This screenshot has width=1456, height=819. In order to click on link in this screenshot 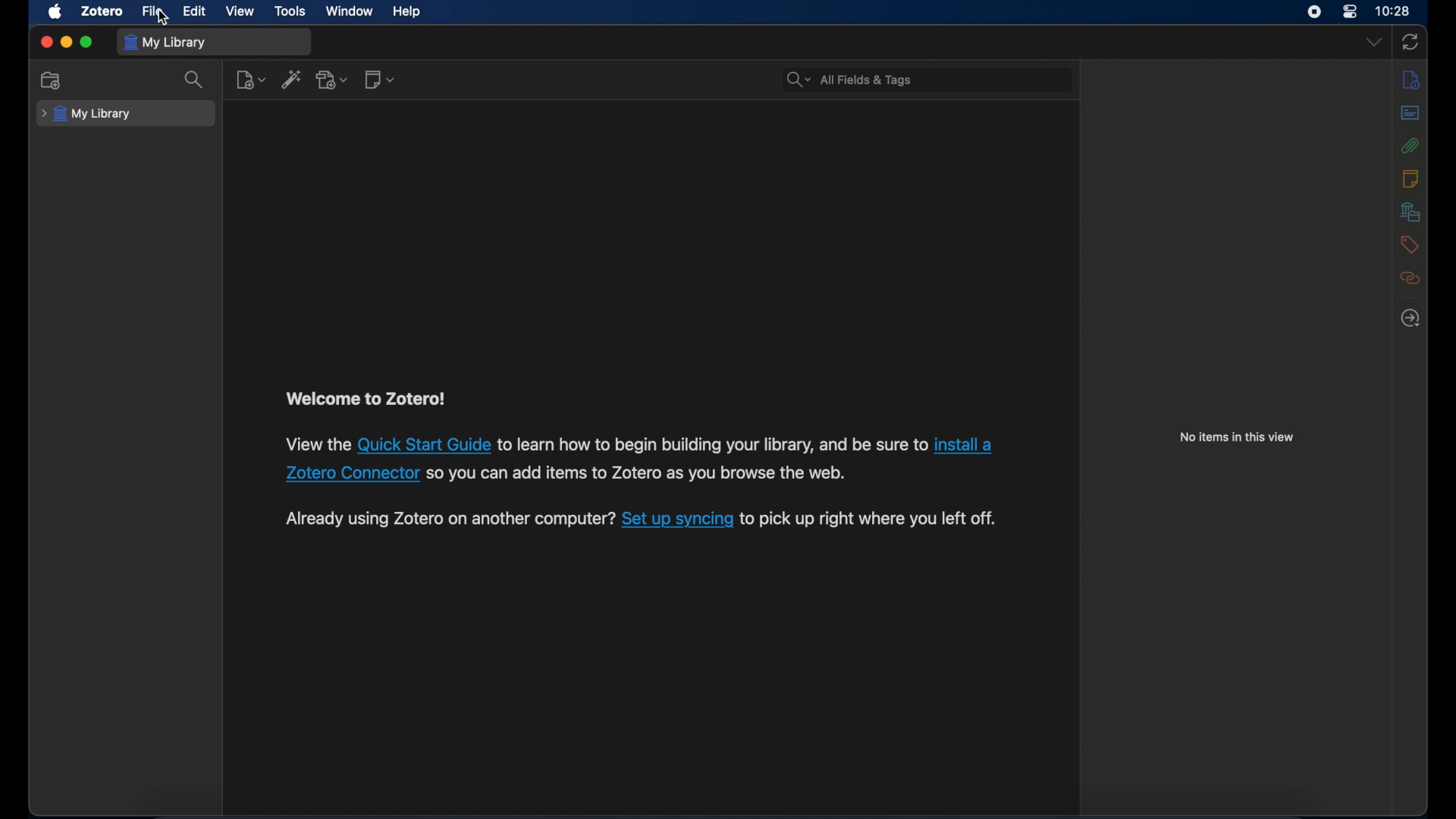, I will do `click(964, 444)`.